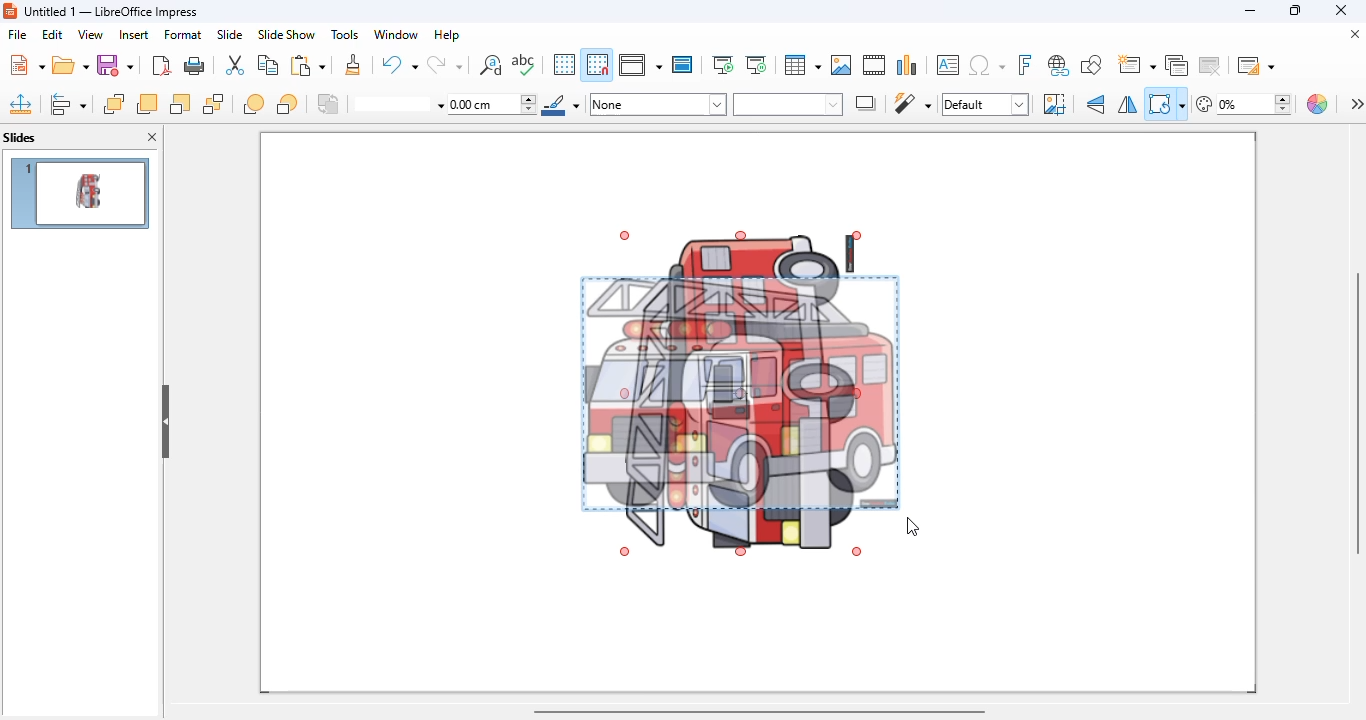 The width and height of the screenshot is (1366, 720). I want to click on tools, so click(344, 34).